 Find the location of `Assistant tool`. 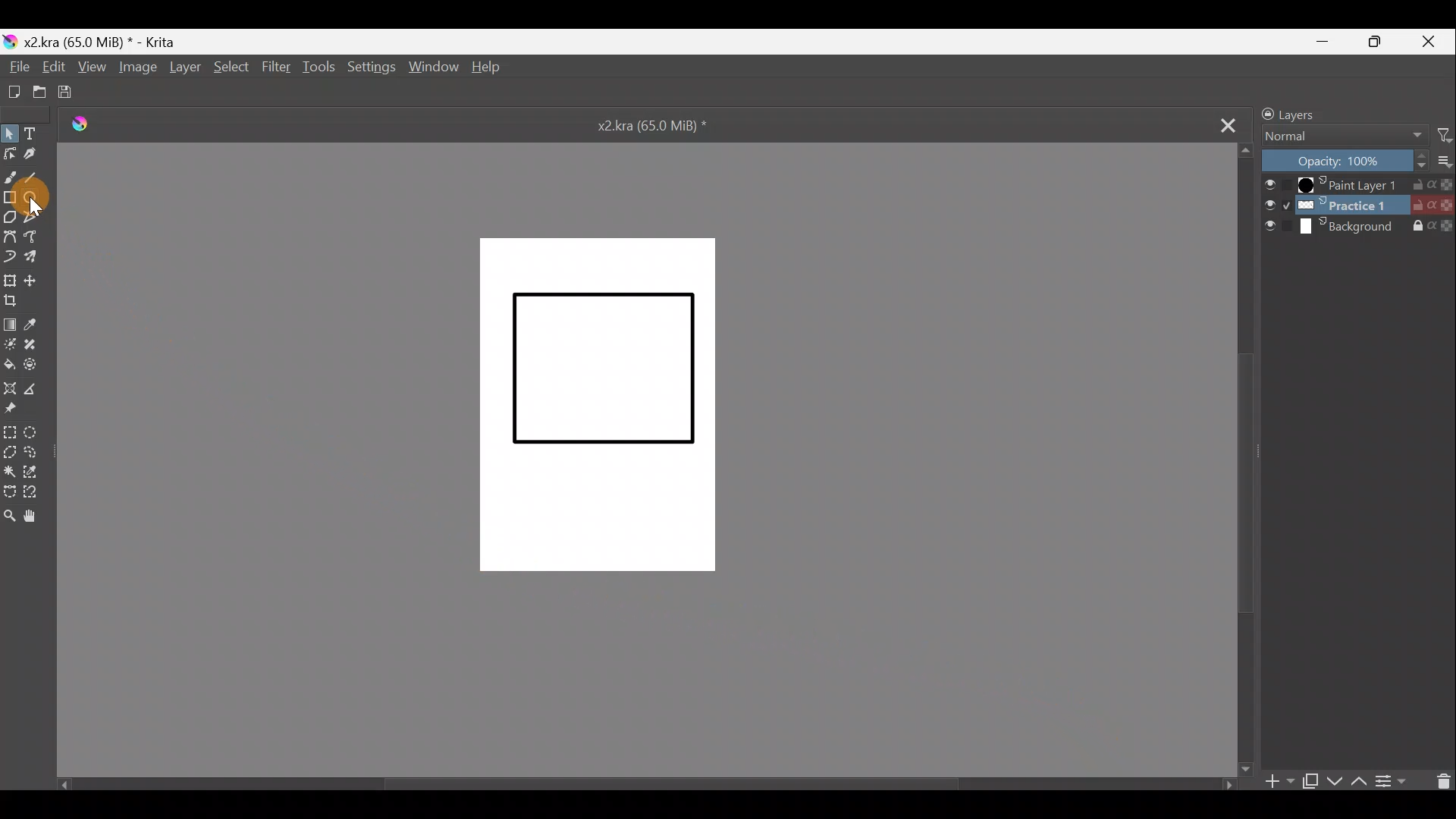

Assistant tool is located at coordinates (11, 386).